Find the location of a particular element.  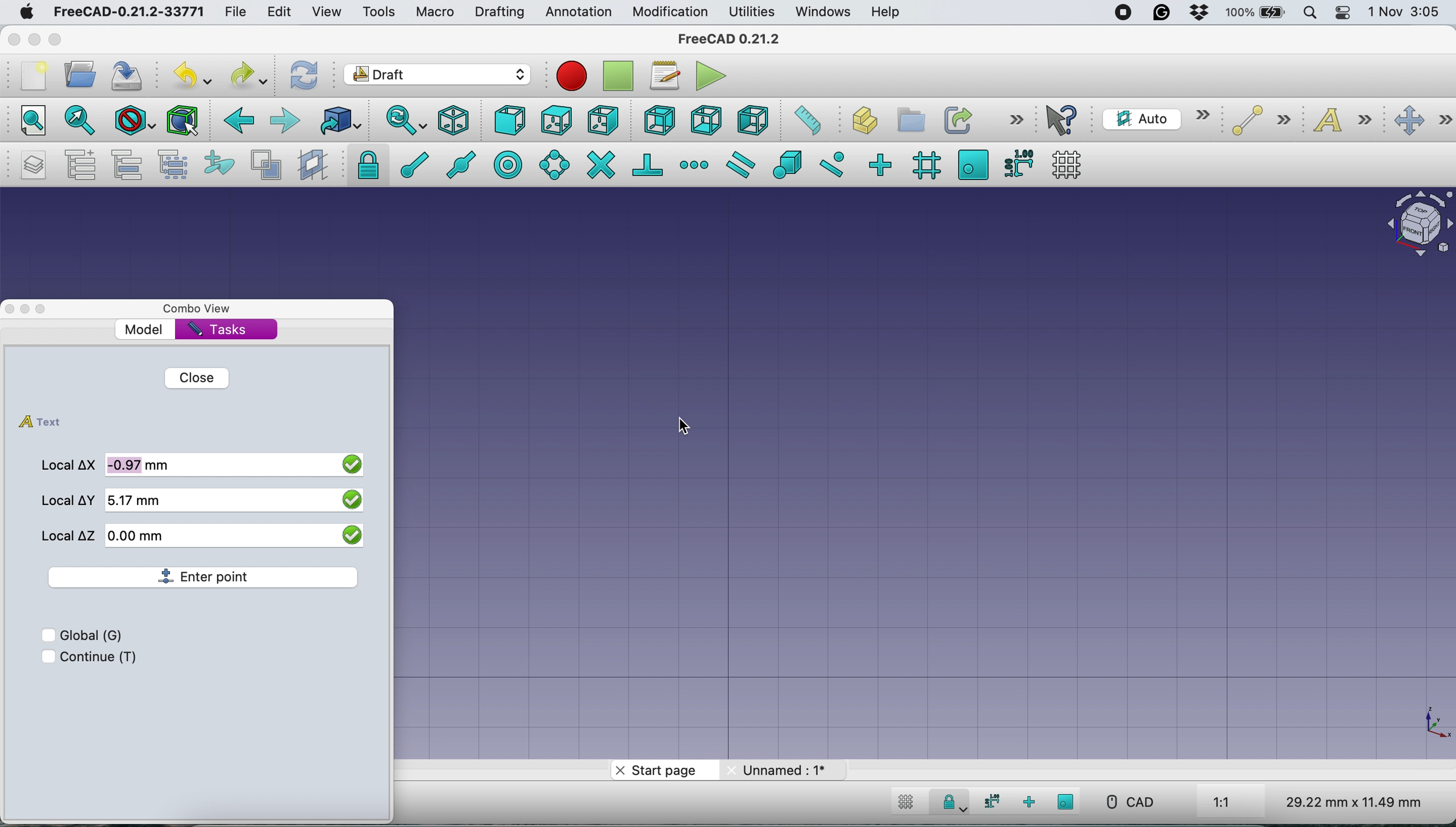

forward is located at coordinates (284, 121).